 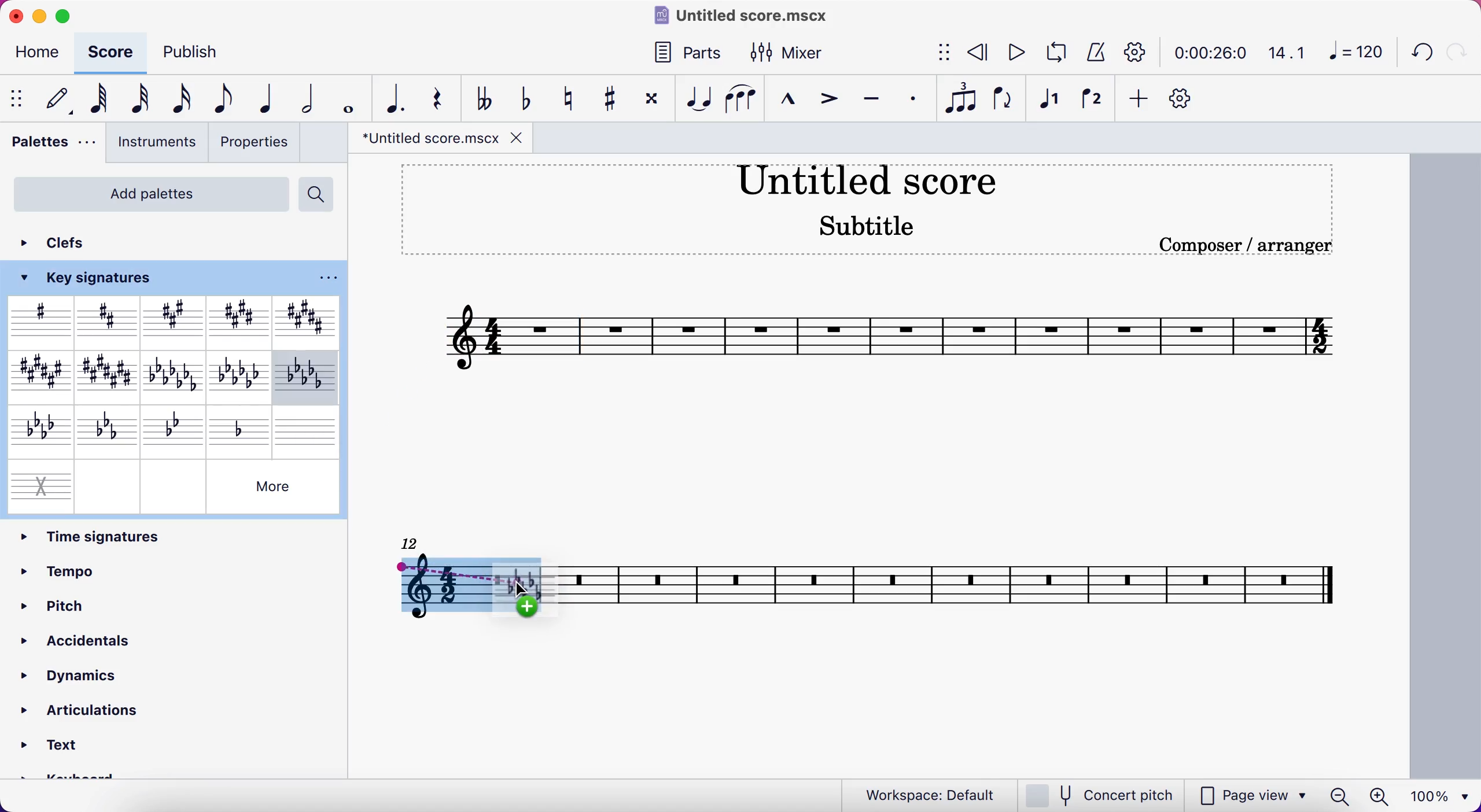 What do you see at coordinates (175, 375) in the screenshot?
I see `A minor` at bounding box center [175, 375].